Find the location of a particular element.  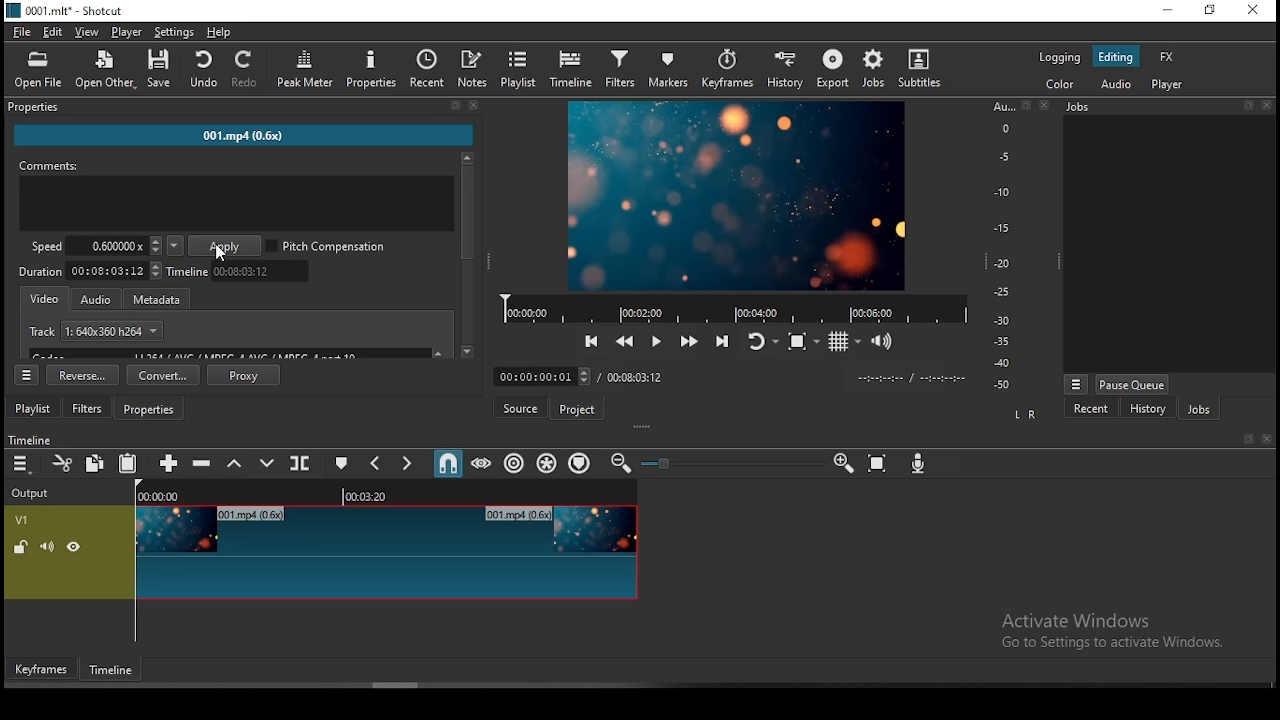

(un)locked is located at coordinates (22, 548).